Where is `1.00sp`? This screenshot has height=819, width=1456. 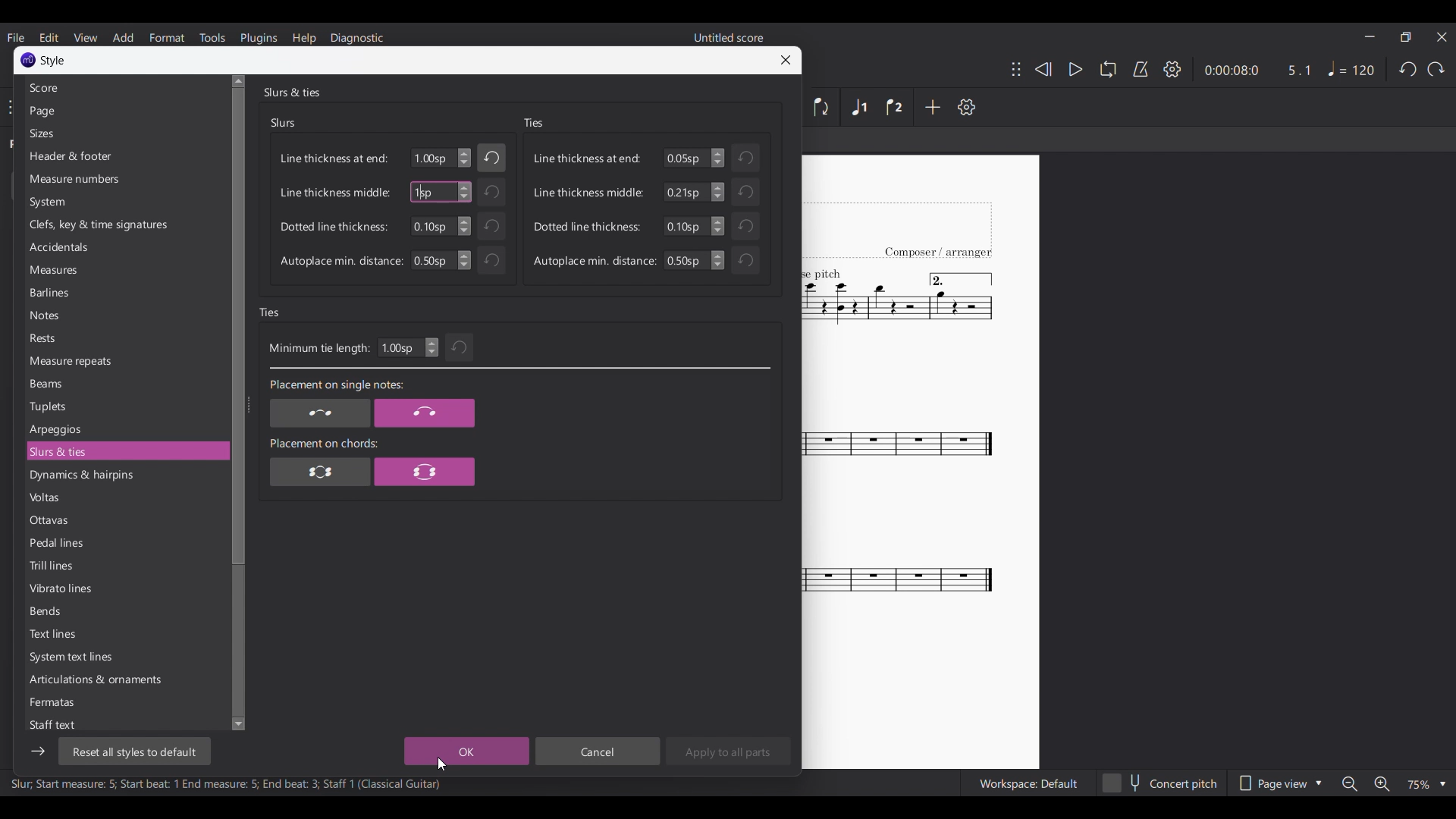
1.00sp is located at coordinates (431, 158).